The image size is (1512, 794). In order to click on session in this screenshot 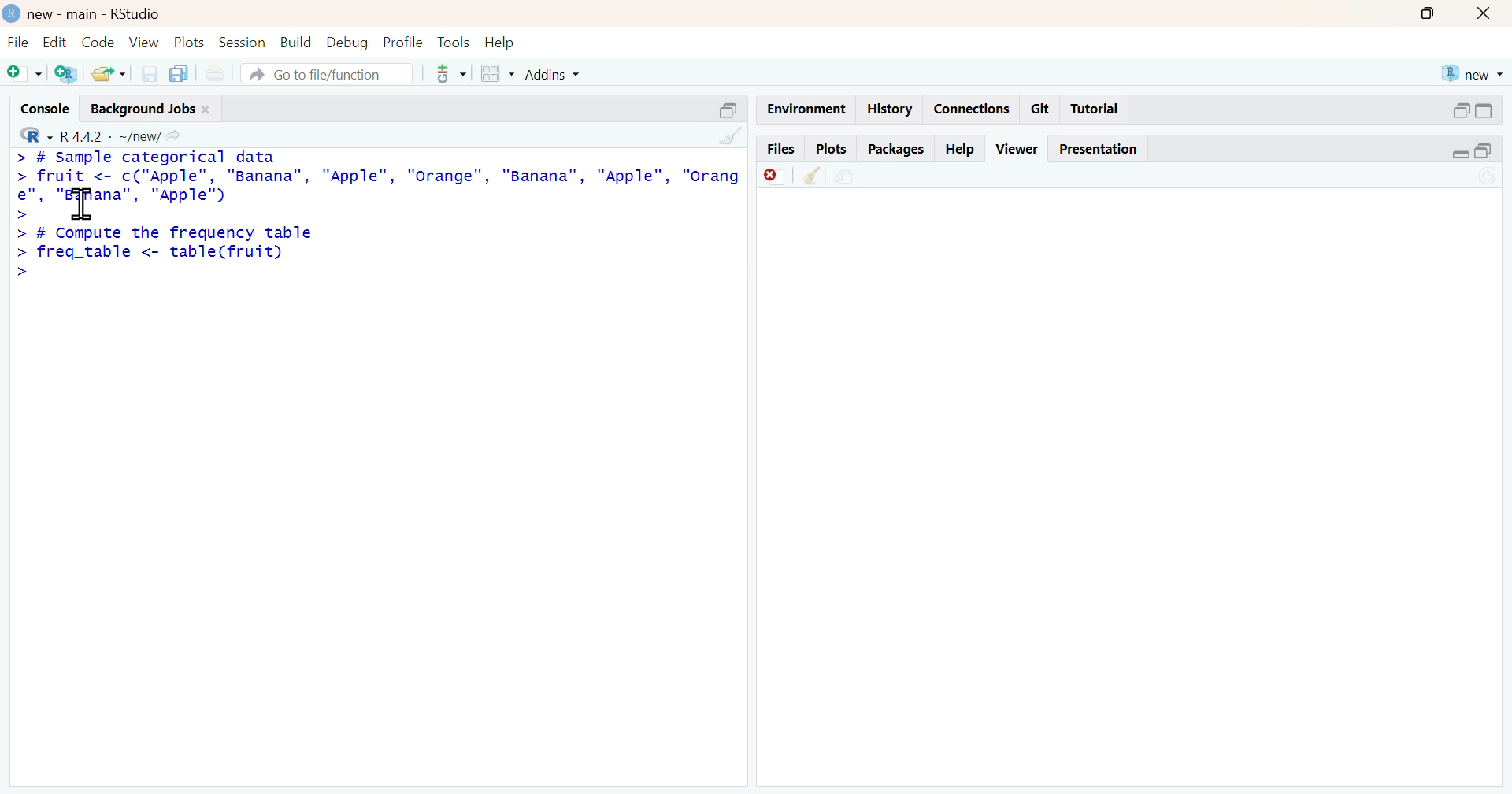, I will do `click(243, 42)`.